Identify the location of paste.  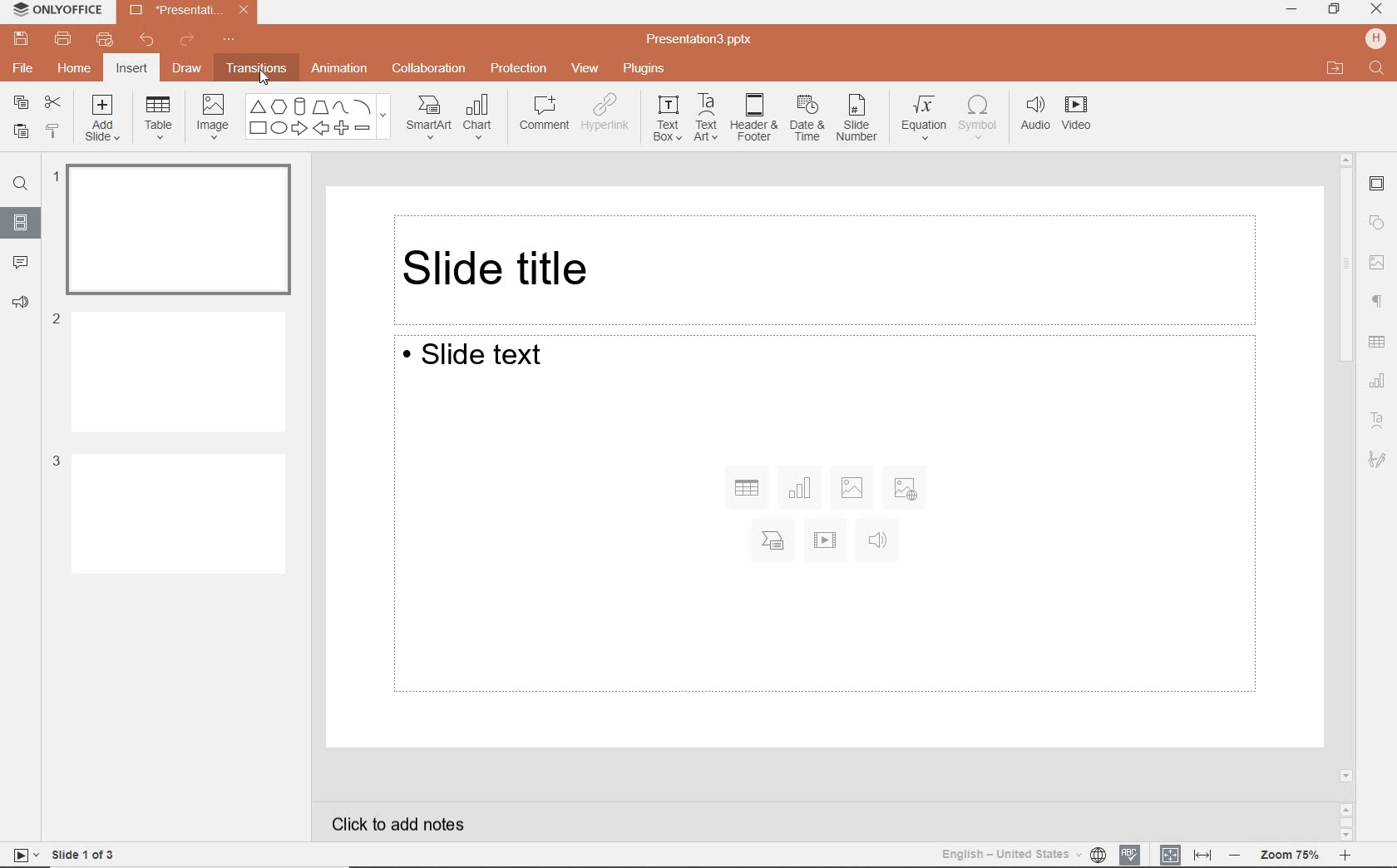
(18, 132).